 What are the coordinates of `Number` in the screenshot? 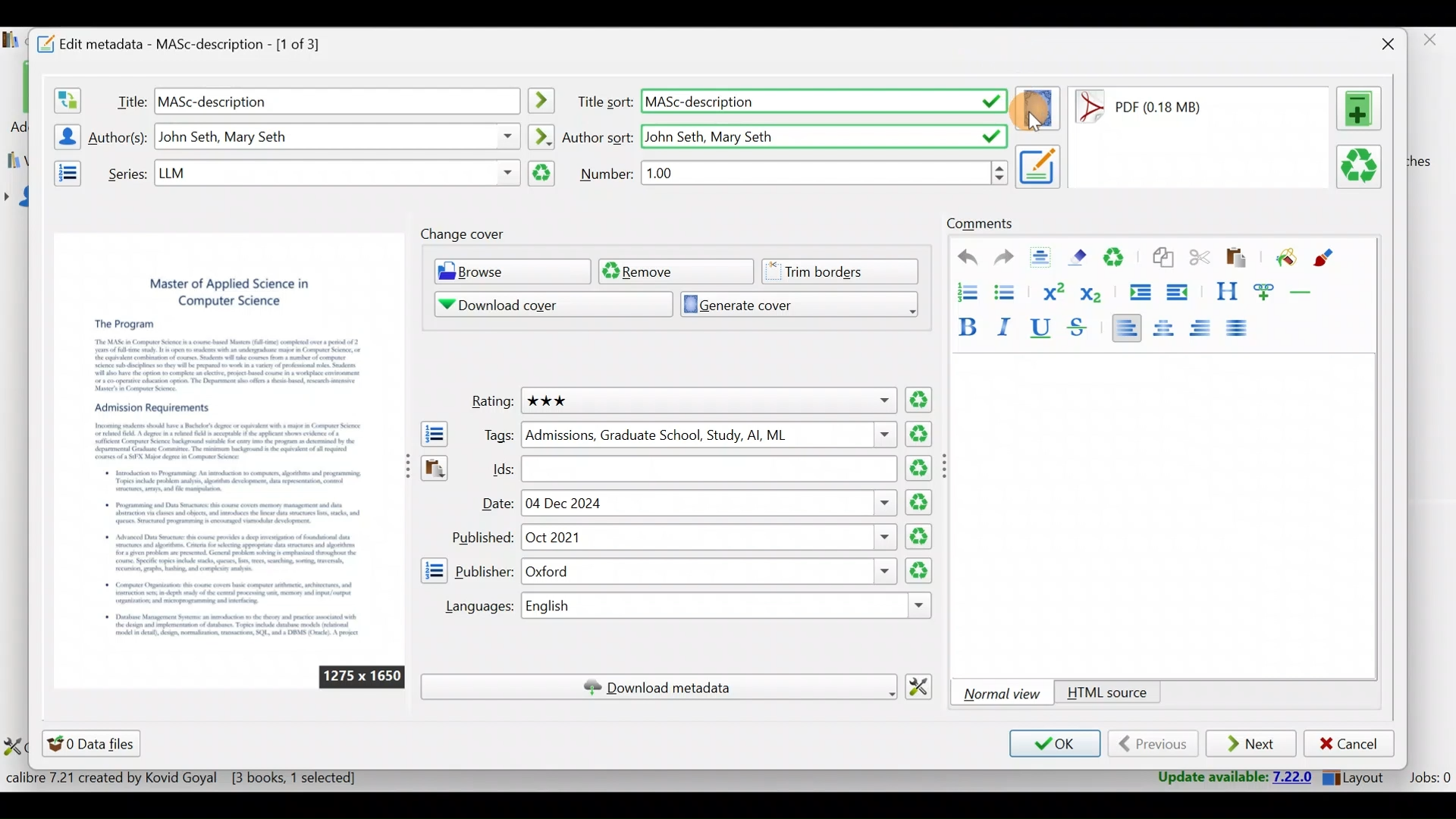 It's located at (607, 173).